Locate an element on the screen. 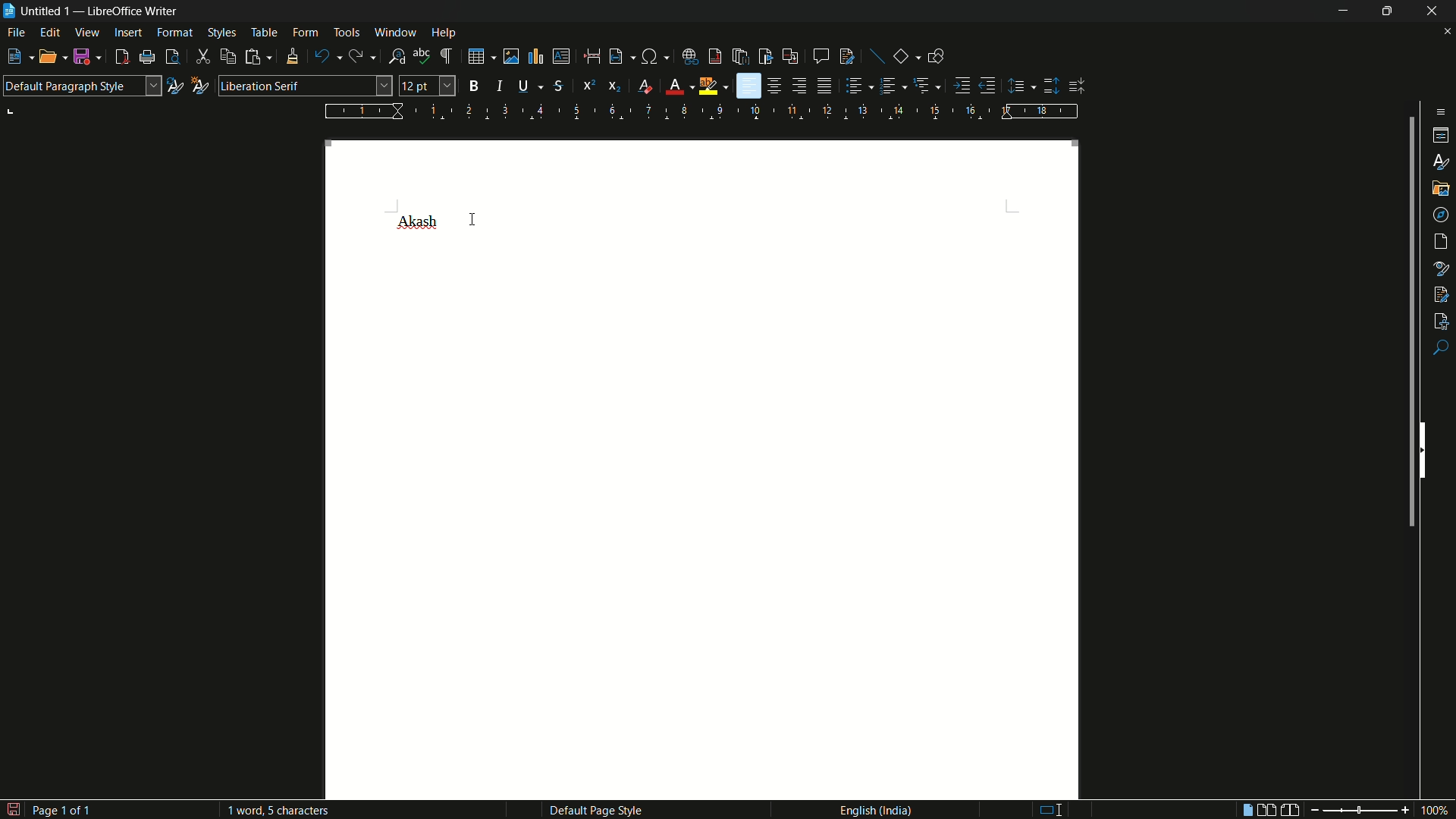  style inspector is located at coordinates (1442, 267).